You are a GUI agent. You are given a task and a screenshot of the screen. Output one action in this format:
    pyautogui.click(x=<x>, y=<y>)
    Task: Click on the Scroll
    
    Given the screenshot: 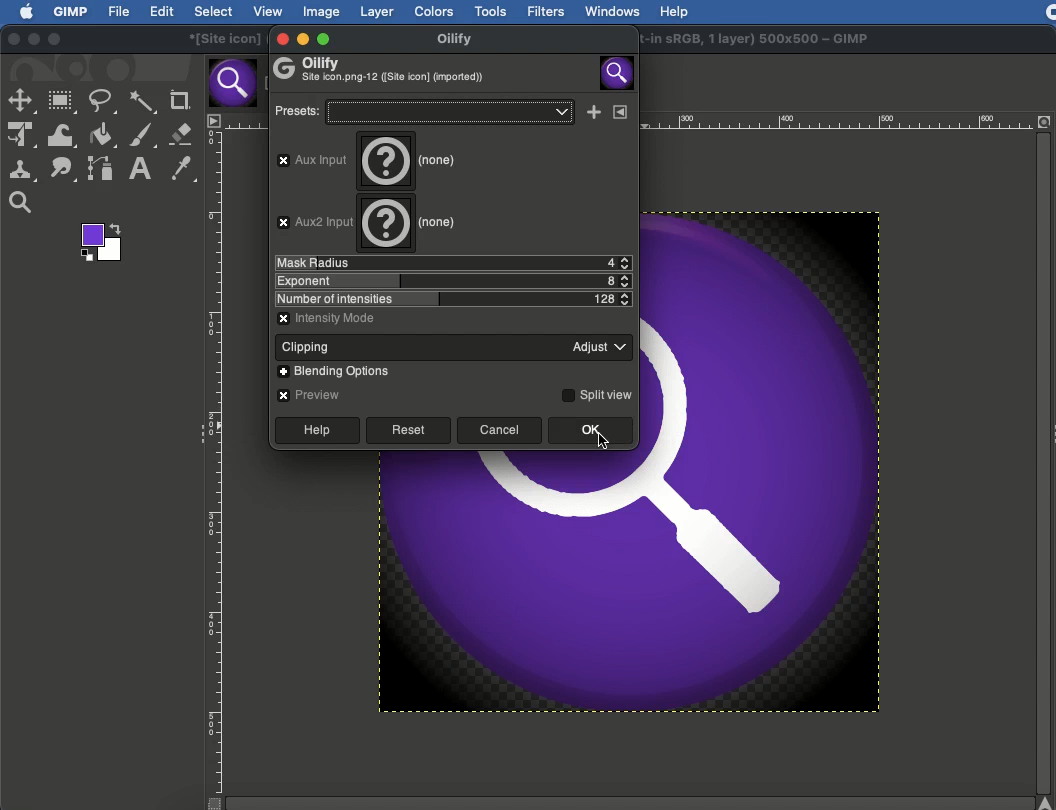 What is the action you would take?
    pyautogui.click(x=617, y=802)
    